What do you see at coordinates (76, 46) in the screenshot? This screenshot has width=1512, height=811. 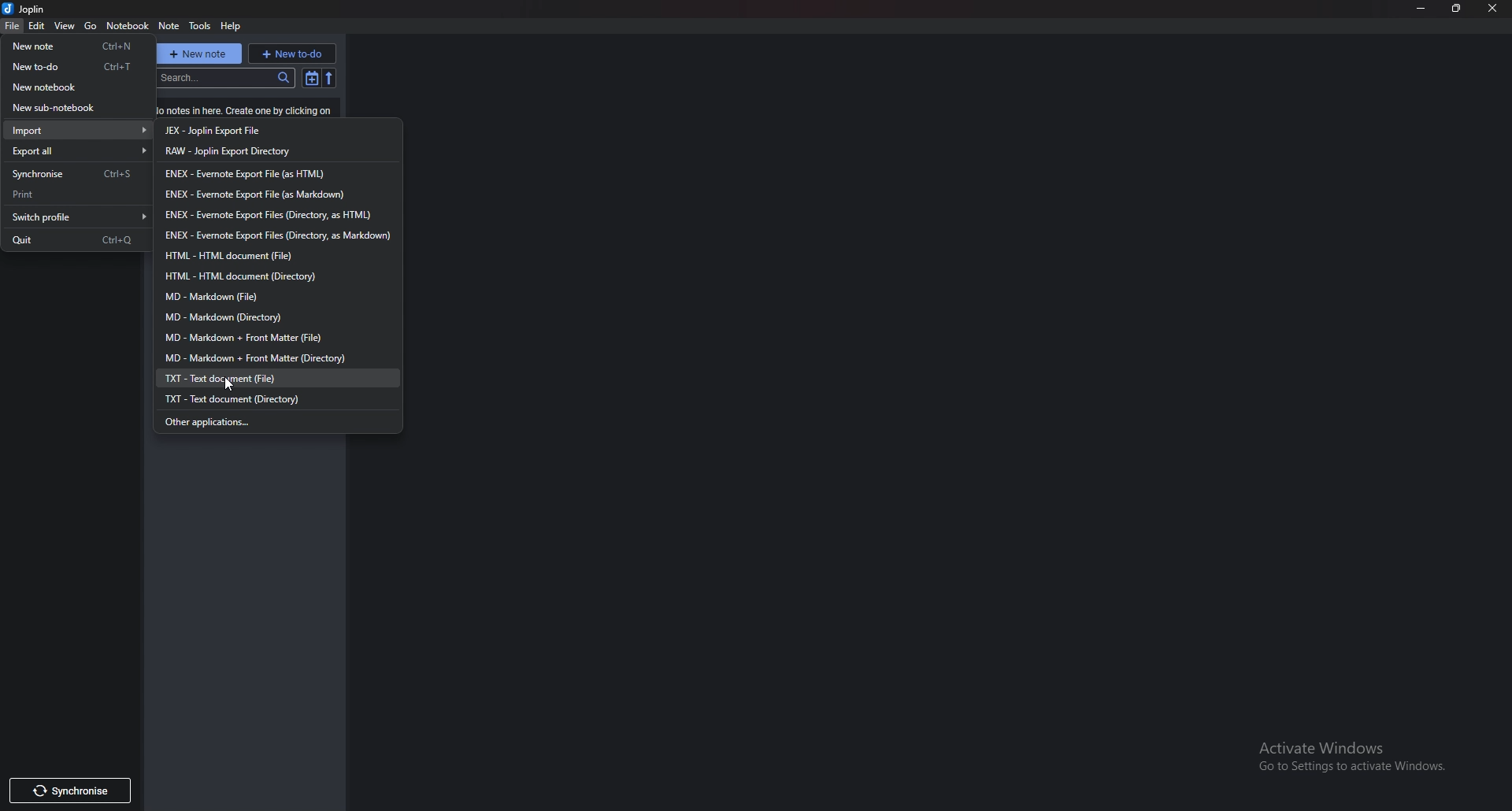 I see `New note` at bounding box center [76, 46].